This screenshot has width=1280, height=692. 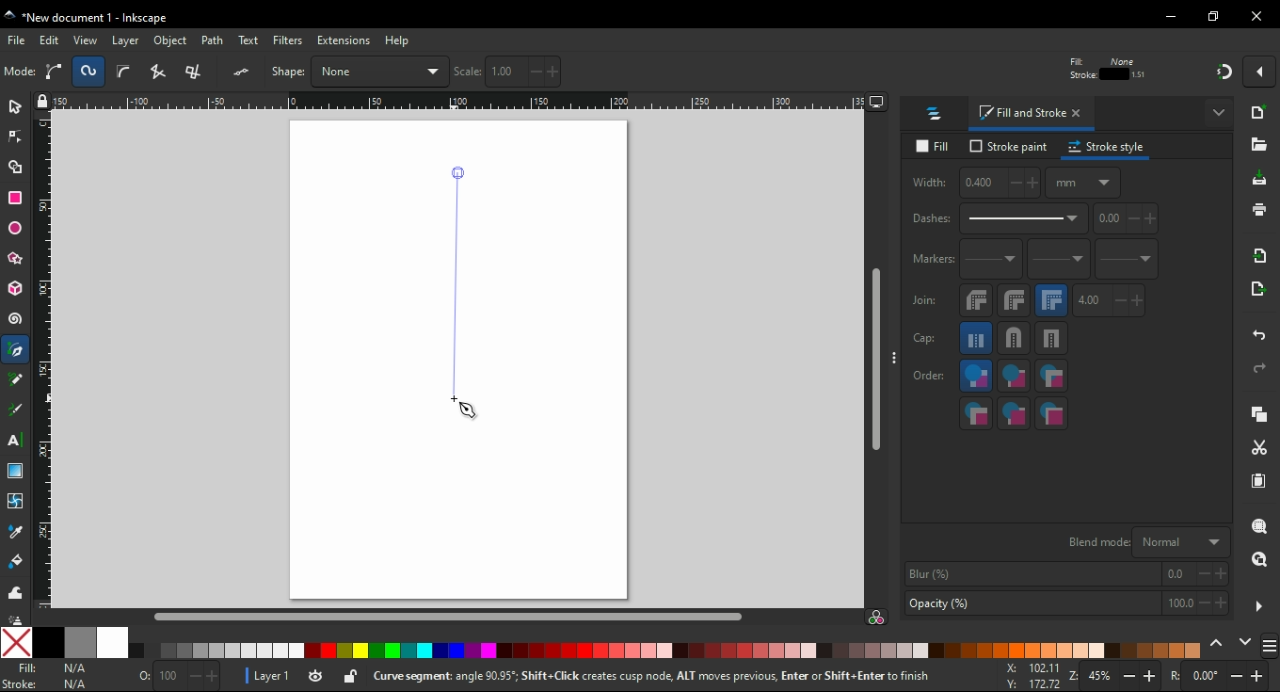 What do you see at coordinates (359, 71) in the screenshot?
I see `raise` at bounding box center [359, 71].